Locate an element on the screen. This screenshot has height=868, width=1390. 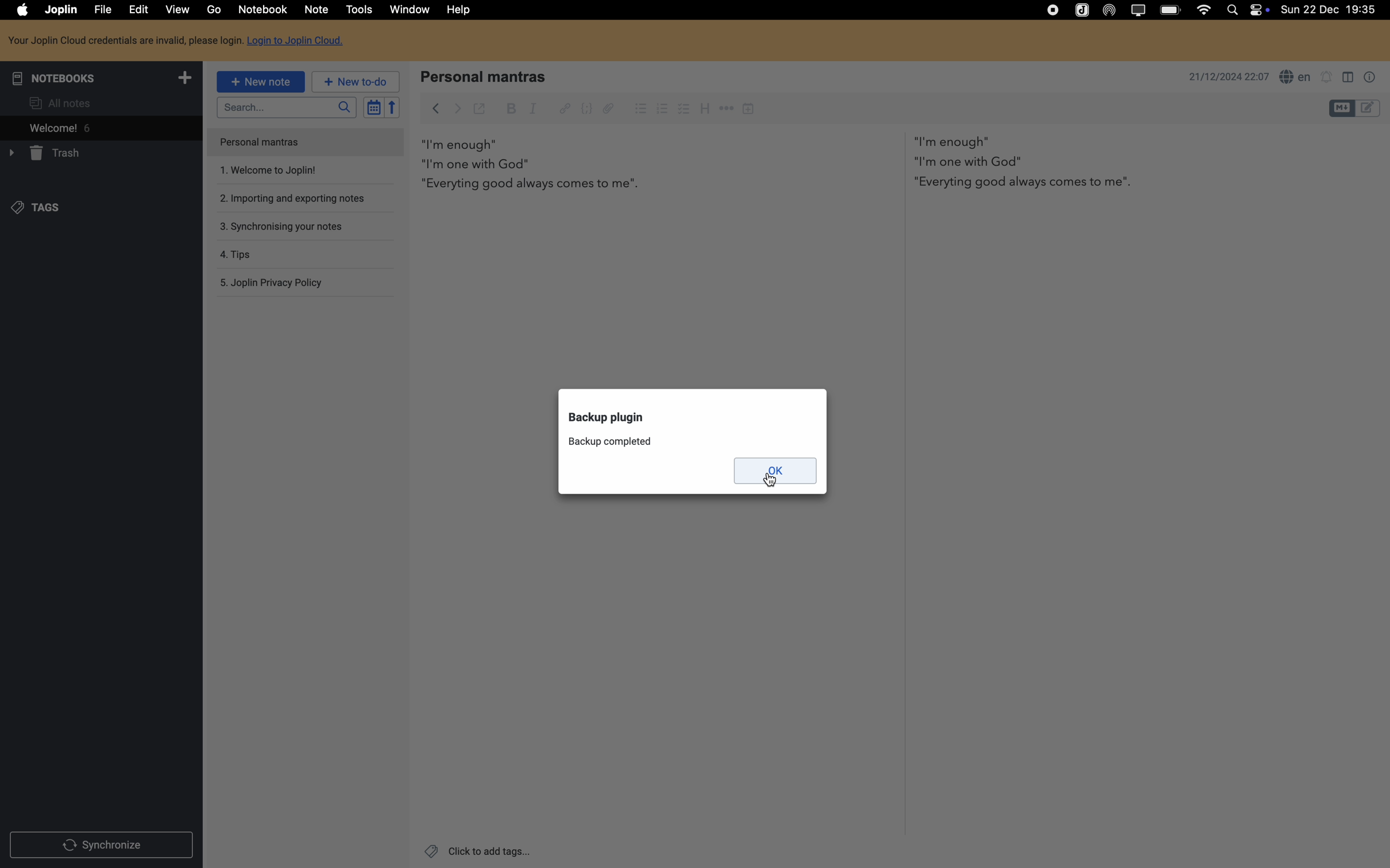
click on OK is located at coordinates (778, 472).